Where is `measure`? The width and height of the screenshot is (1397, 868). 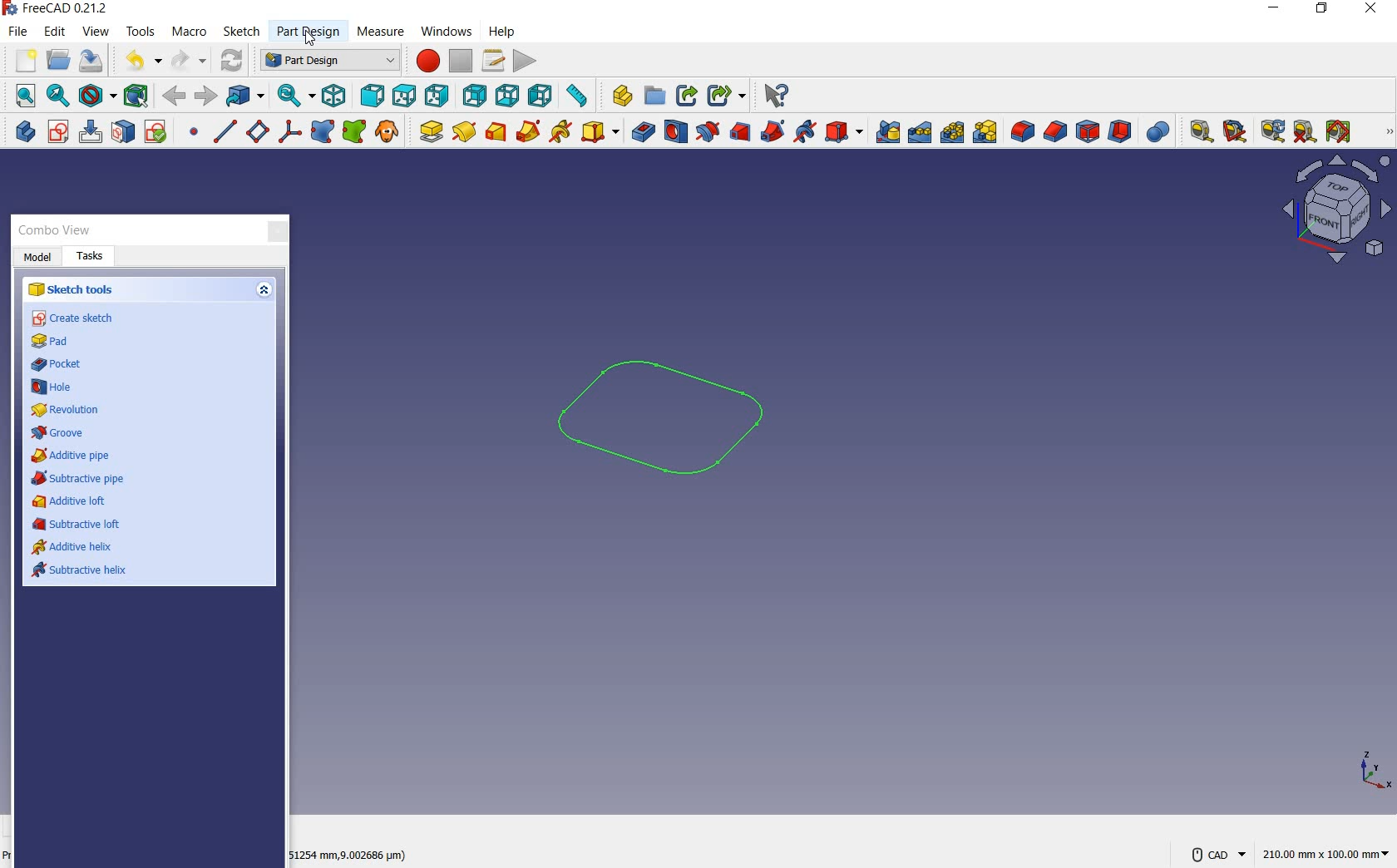 measure is located at coordinates (1386, 132).